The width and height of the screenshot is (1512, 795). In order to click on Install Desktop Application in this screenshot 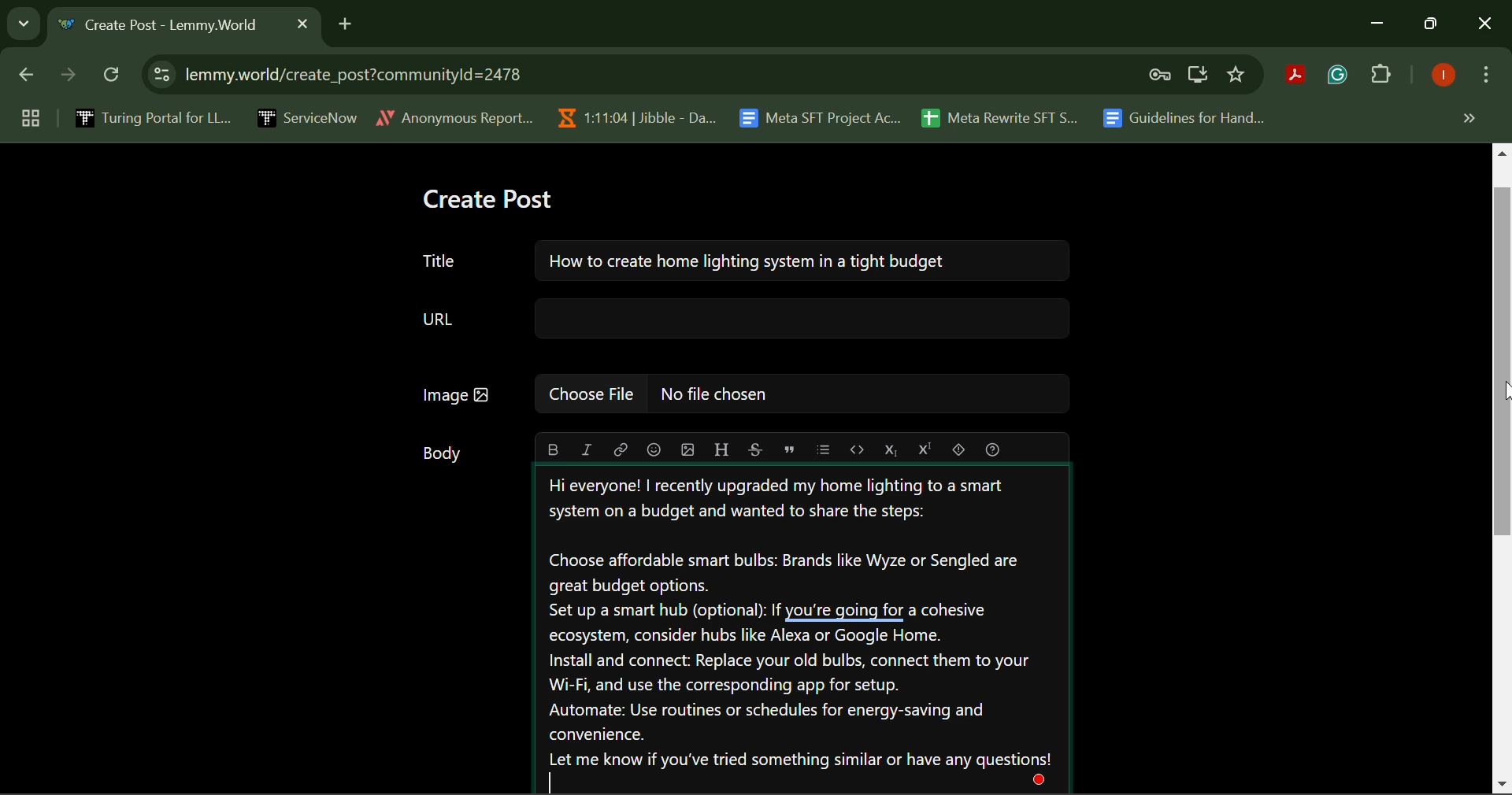, I will do `click(1197, 76)`.